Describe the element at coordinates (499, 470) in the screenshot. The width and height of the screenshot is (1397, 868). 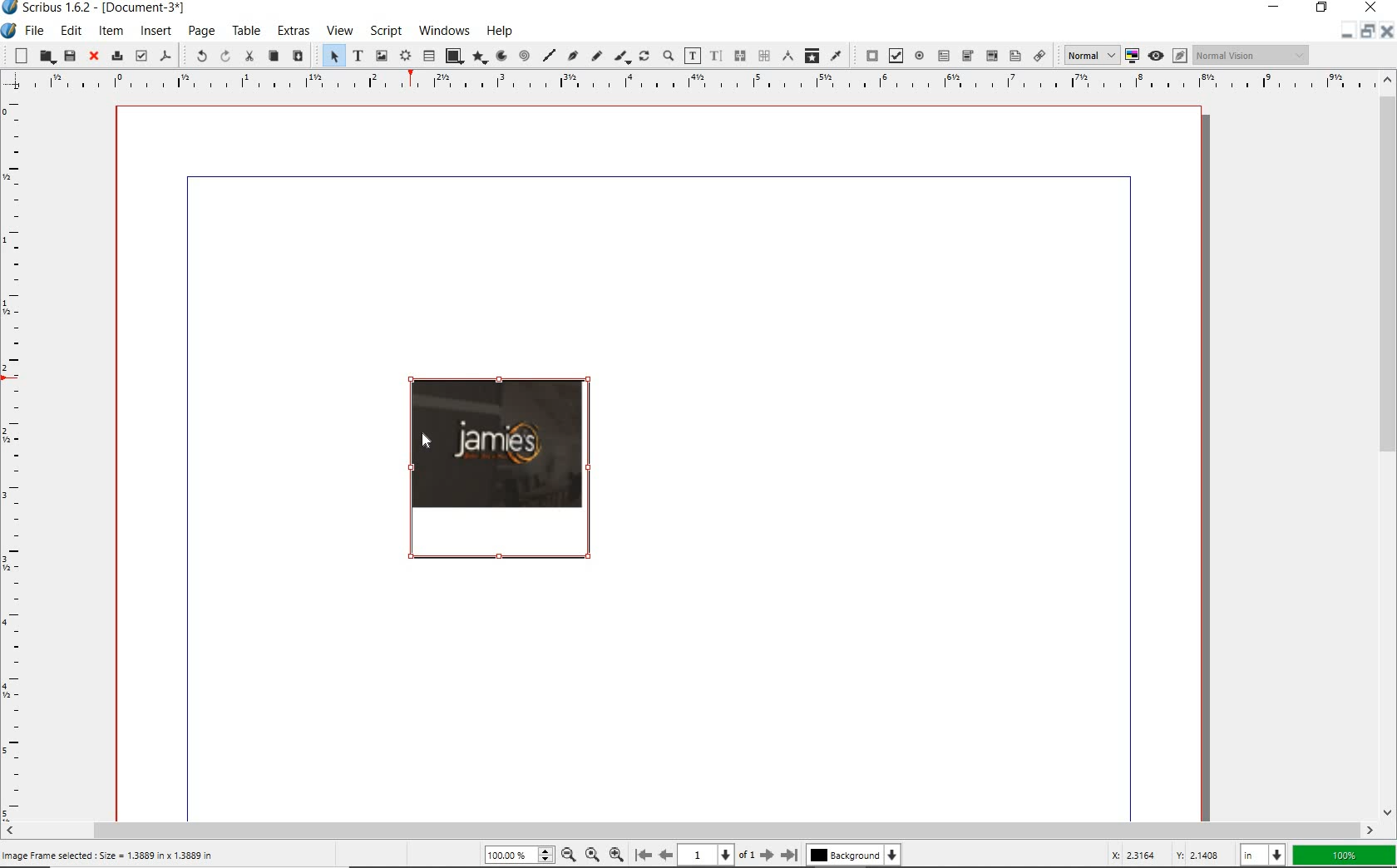
I see `IMAGE` at that location.